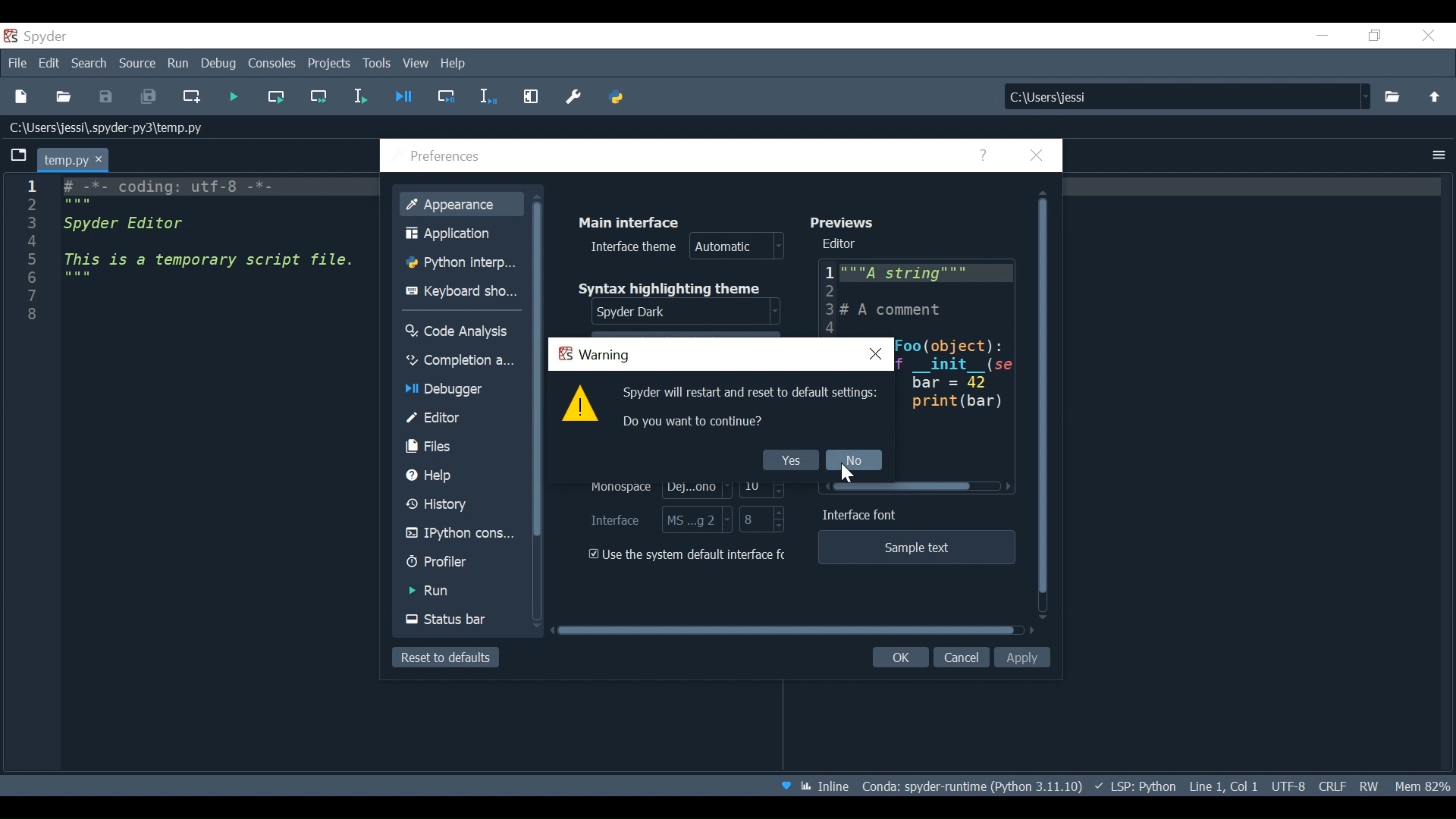  Describe the element at coordinates (461, 504) in the screenshot. I see `History` at that location.